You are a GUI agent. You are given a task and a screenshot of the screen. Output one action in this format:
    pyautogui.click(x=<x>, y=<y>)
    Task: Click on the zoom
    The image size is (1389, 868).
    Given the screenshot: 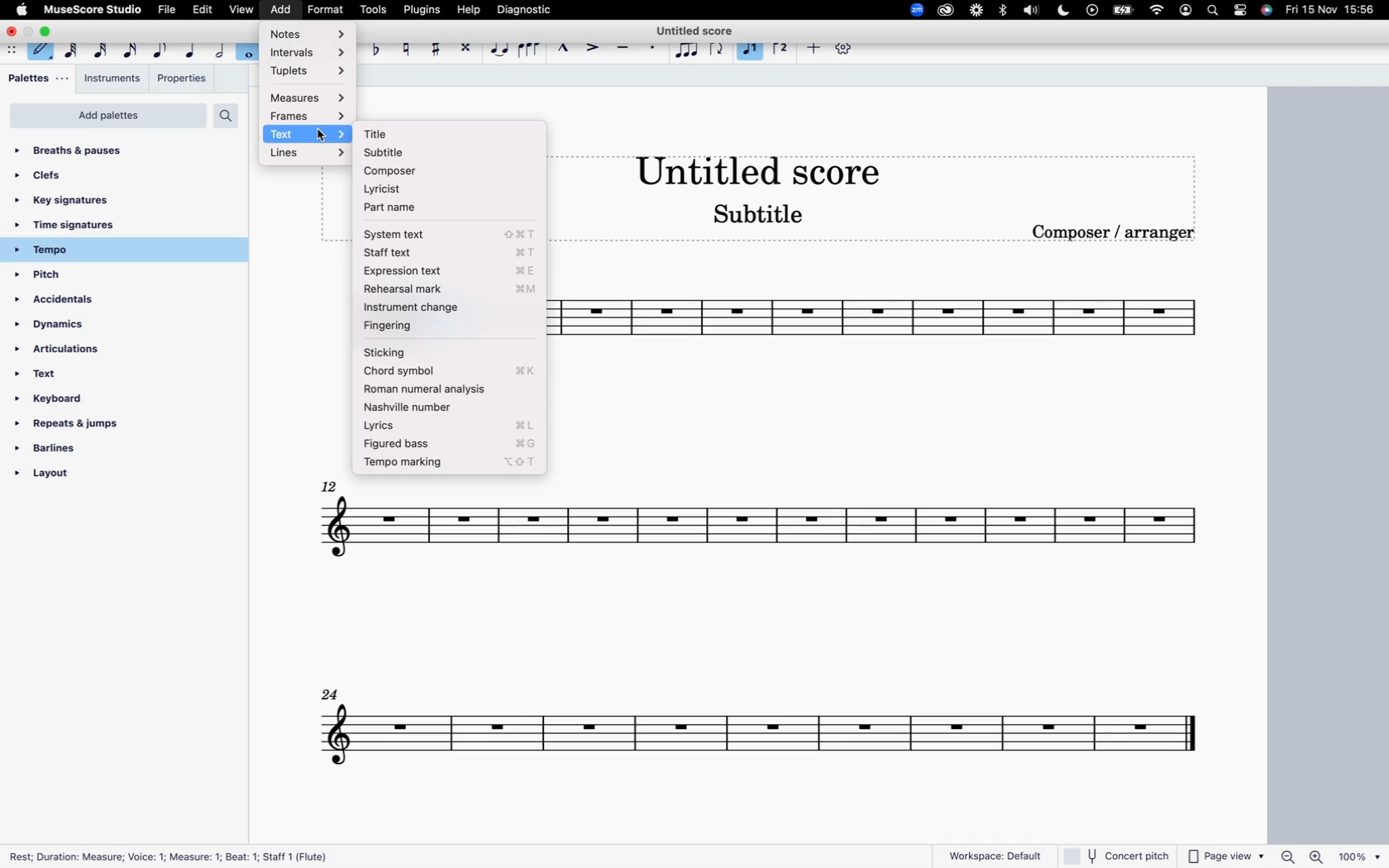 What is the action you would take?
    pyautogui.click(x=913, y=8)
    